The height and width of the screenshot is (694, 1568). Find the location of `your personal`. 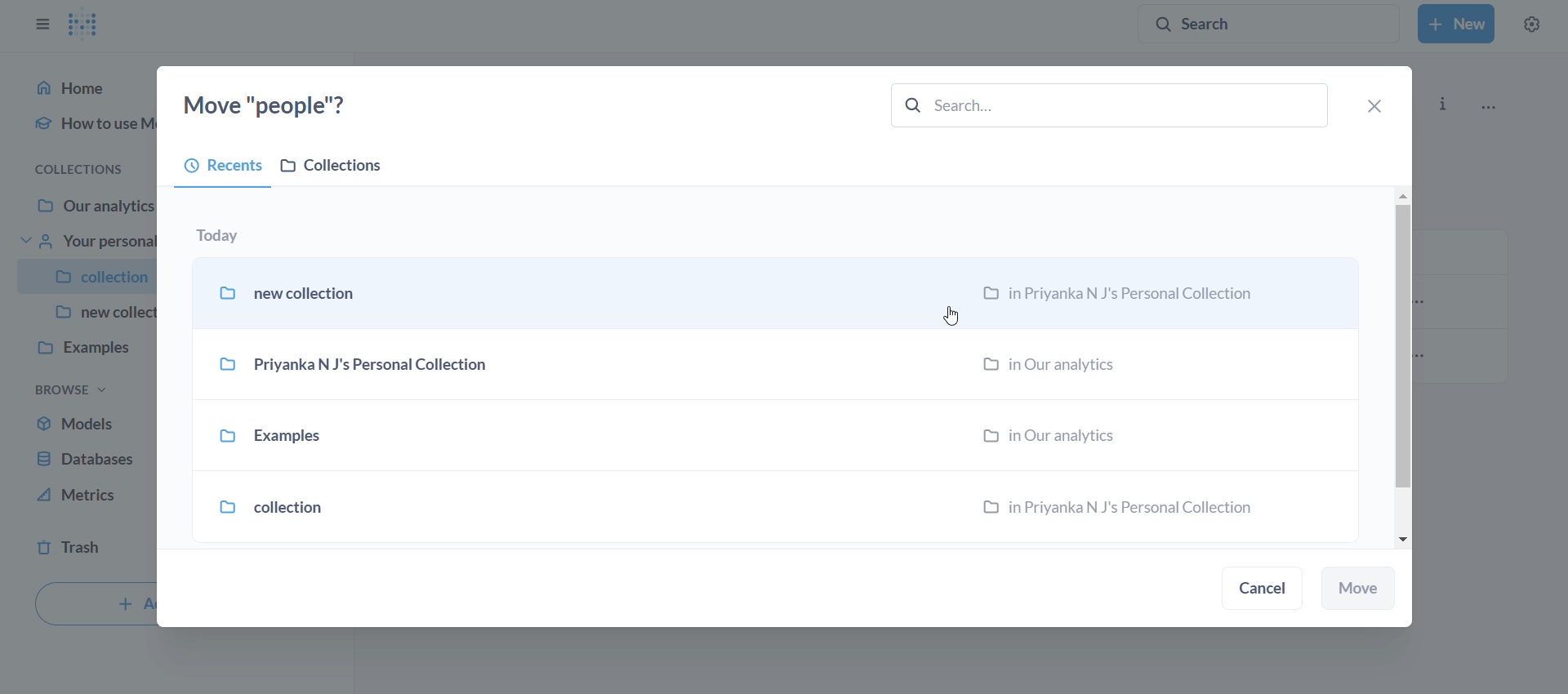

your personal is located at coordinates (87, 242).